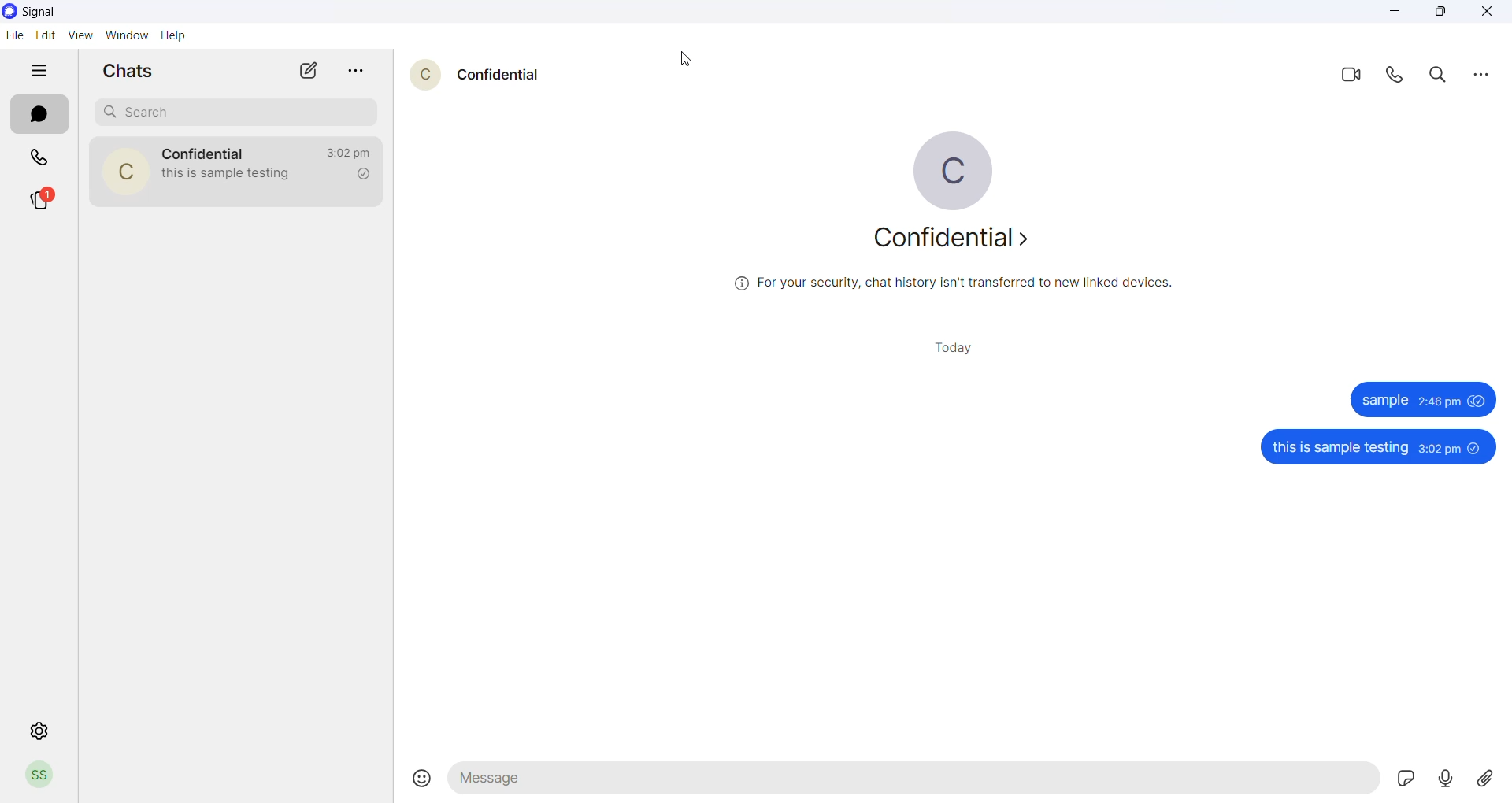 The image size is (1512, 803). Describe the element at coordinates (13, 36) in the screenshot. I see `file` at that location.